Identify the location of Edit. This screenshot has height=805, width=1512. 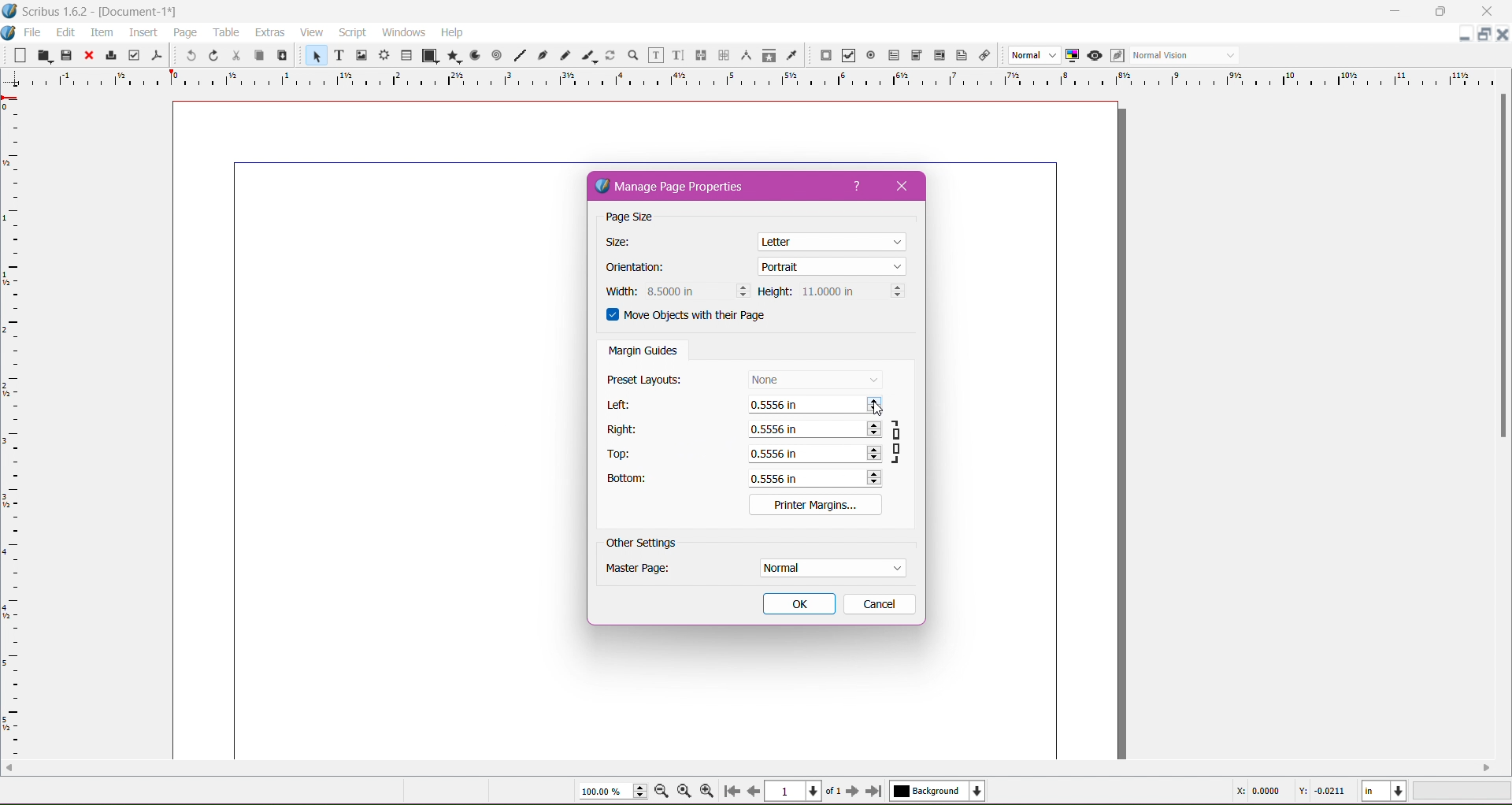
(65, 32).